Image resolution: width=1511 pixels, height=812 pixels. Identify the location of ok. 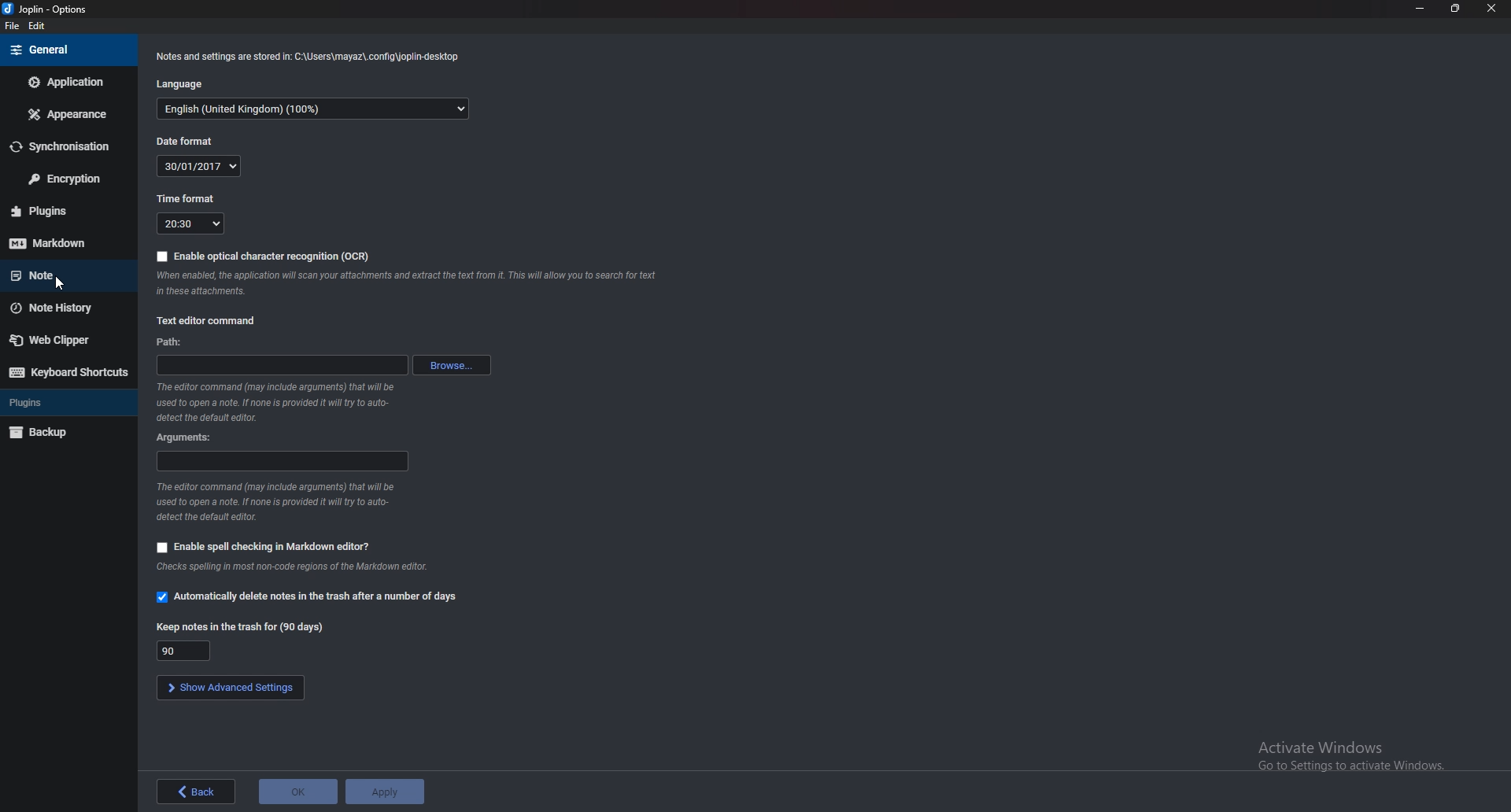
(297, 790).